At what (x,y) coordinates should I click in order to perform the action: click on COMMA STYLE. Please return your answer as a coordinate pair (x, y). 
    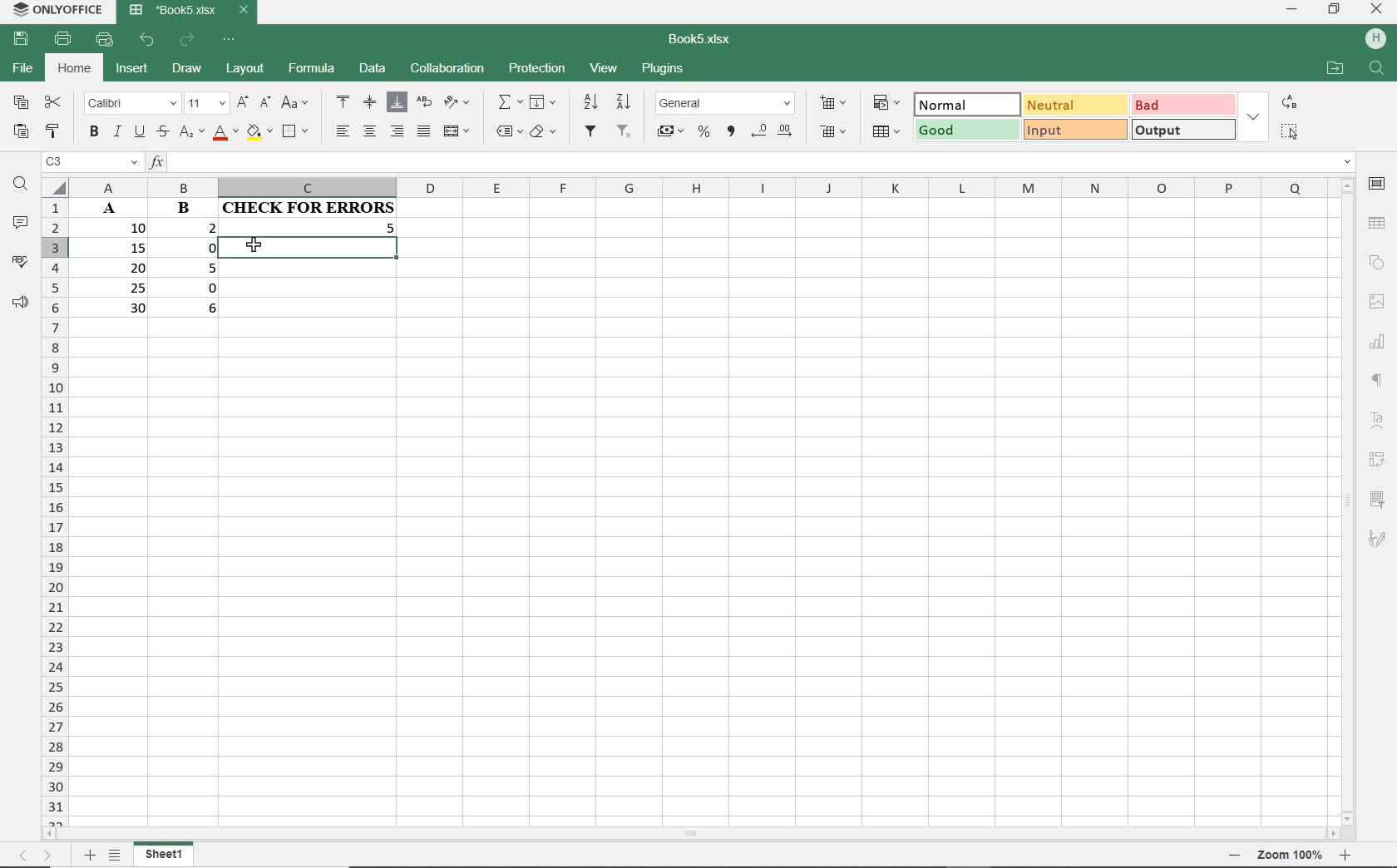
    Looking at the image, I should click on (733, 133).